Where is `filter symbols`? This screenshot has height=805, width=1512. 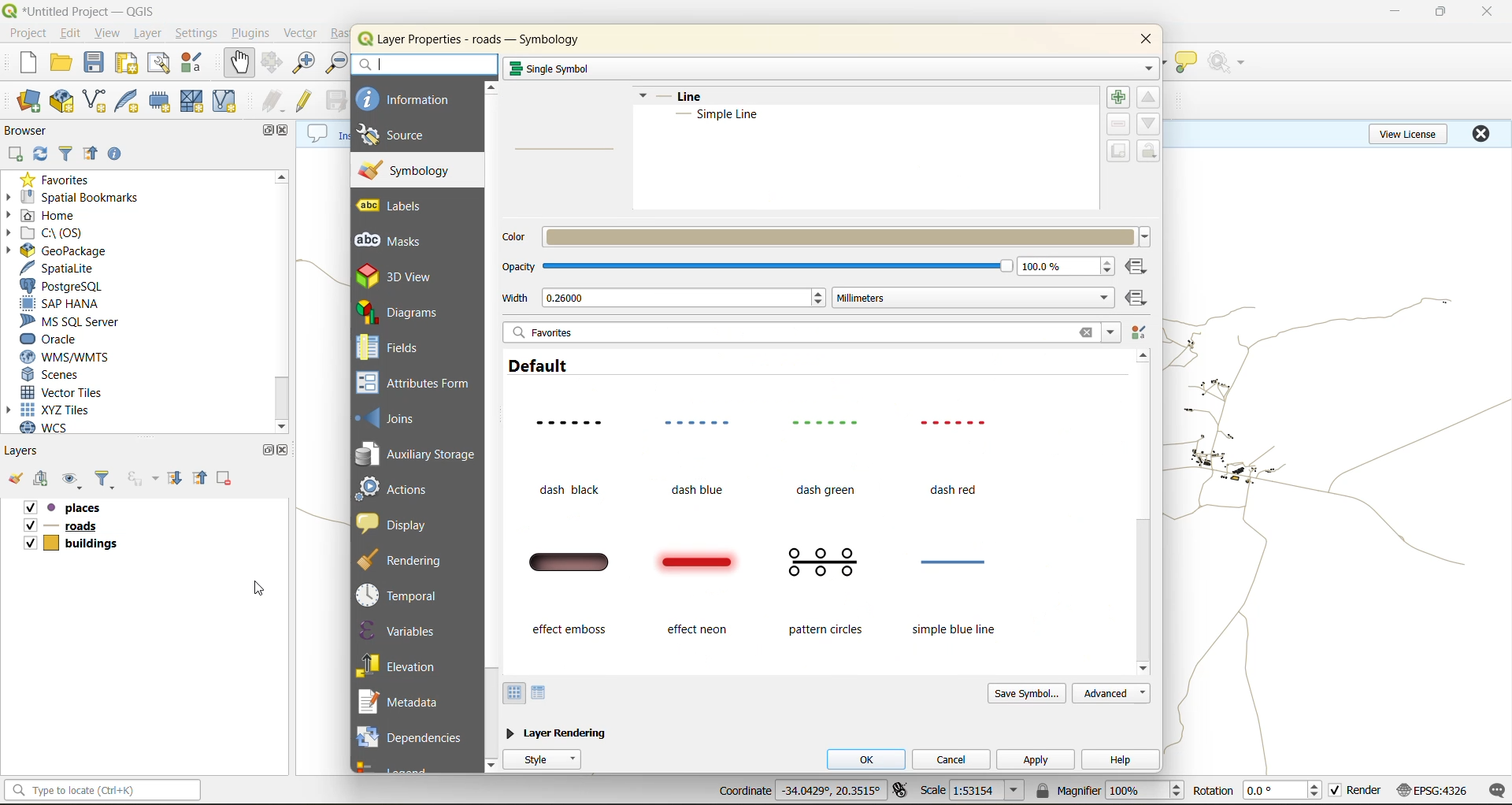
filter symbols is located at coordinates (1110, 332).